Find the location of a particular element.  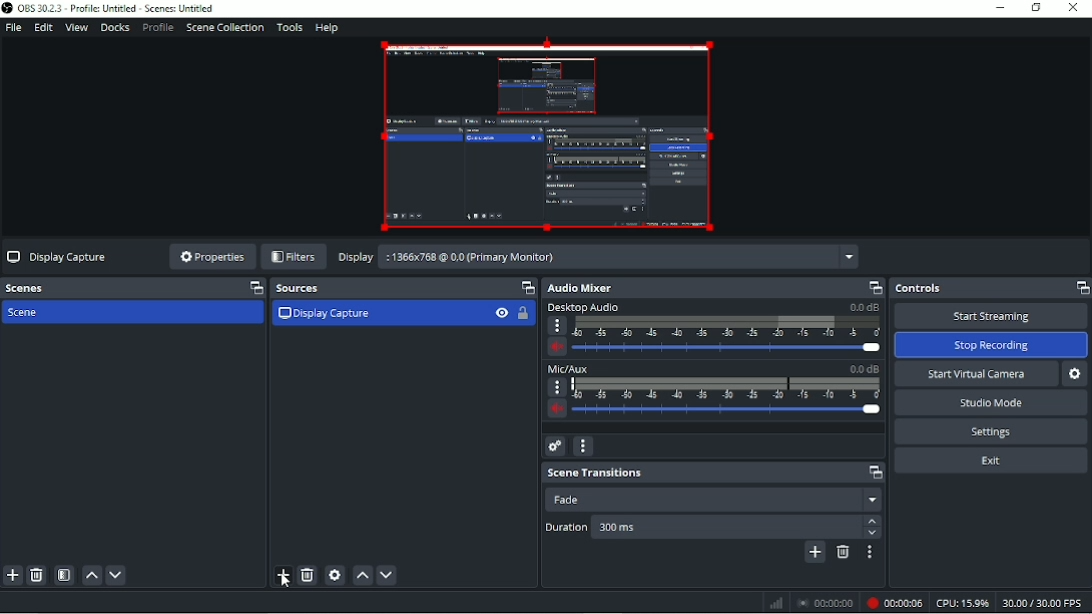

Minimize is located at coordinates (1000, 8).